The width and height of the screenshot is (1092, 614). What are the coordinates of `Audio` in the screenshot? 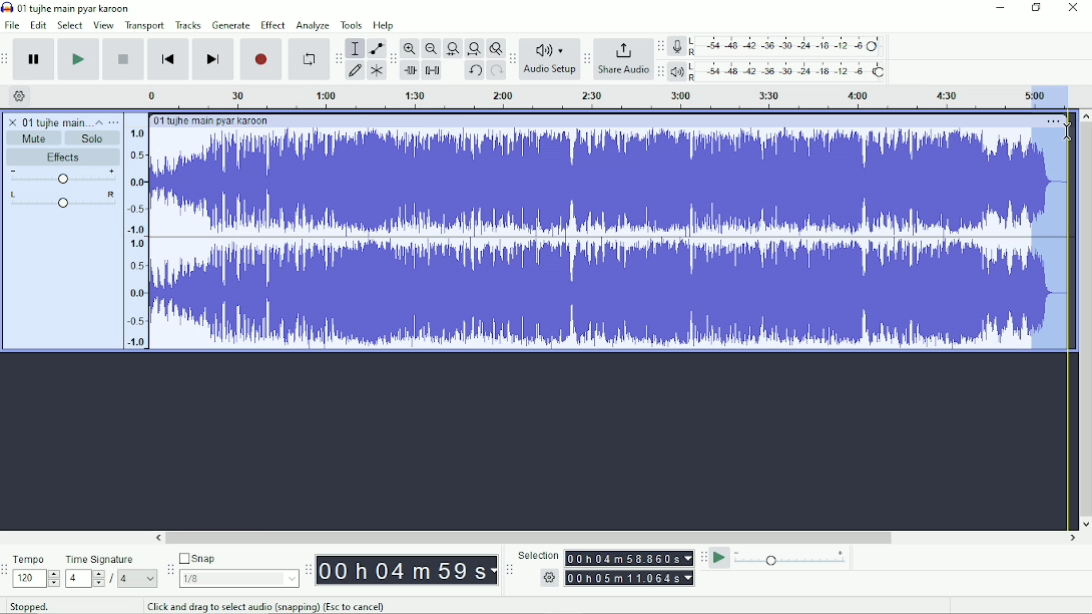 It's located at (612, 240).